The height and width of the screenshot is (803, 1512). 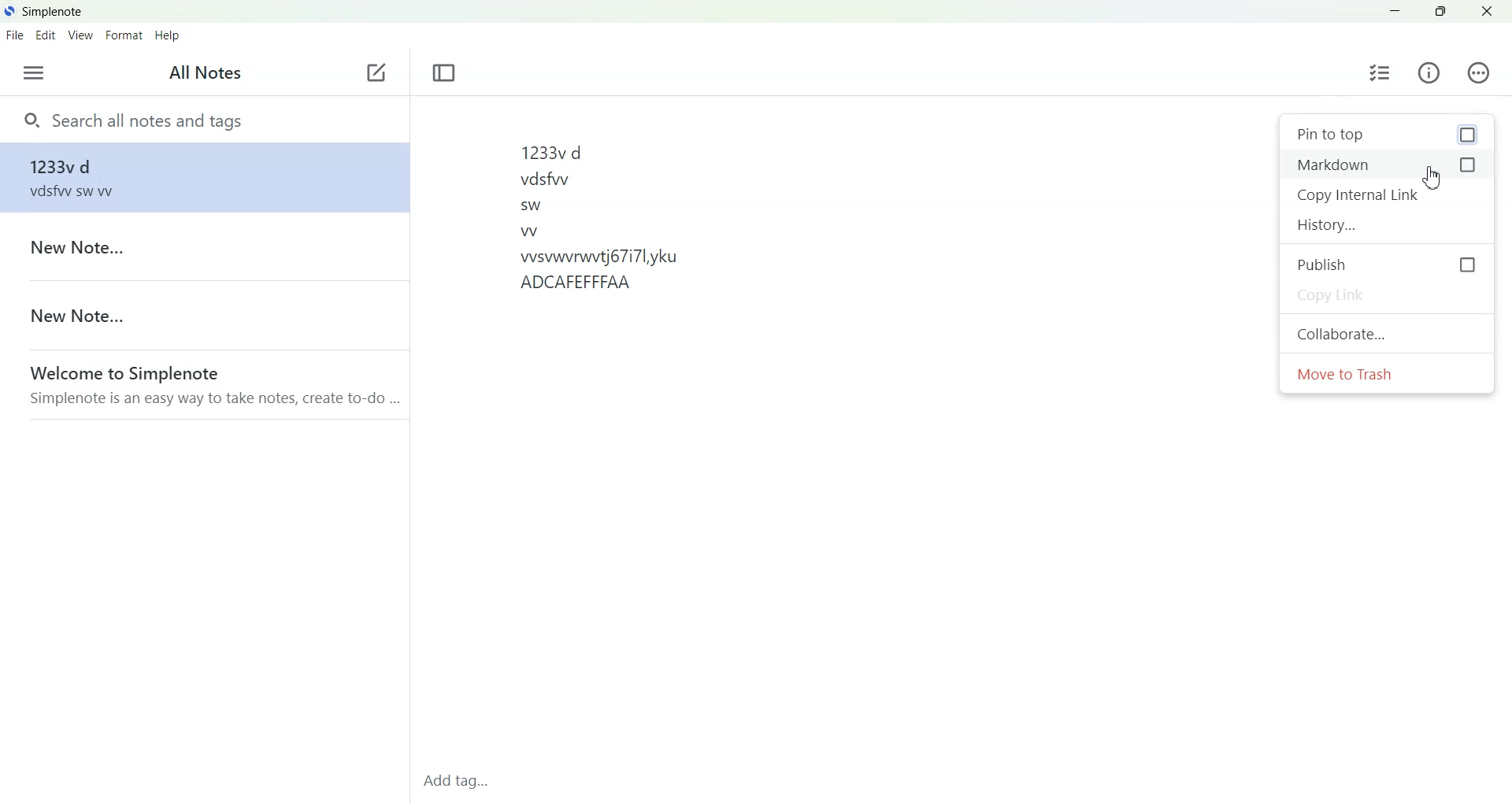 What do you see at coordinates (444, 73) in the screenshot?
I see `Toggle focus mode` at bounding box center [444, 73].